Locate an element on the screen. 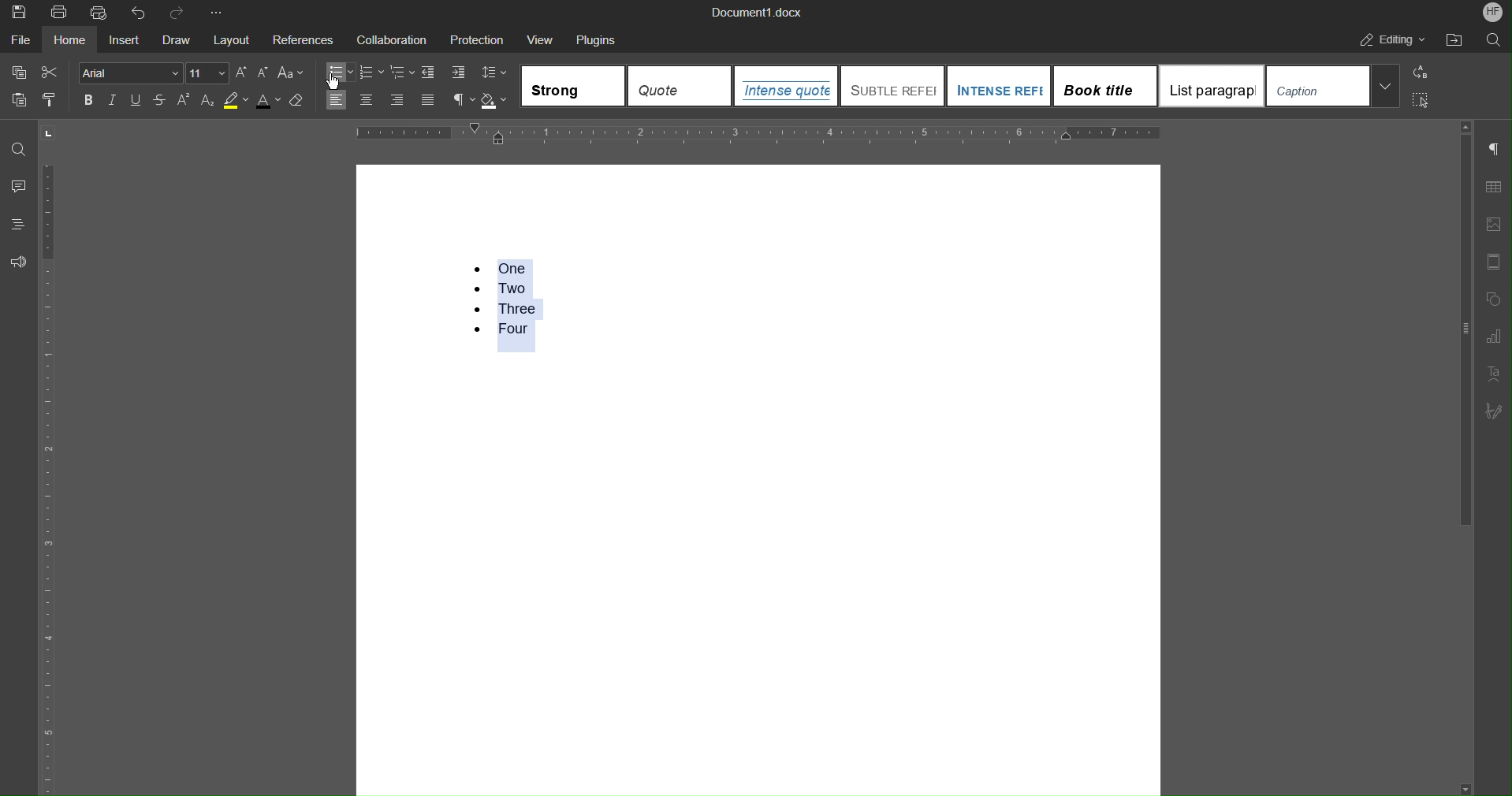 This screenshot has width=1512, height=796. Superscript is located at coordinates (186, 101).